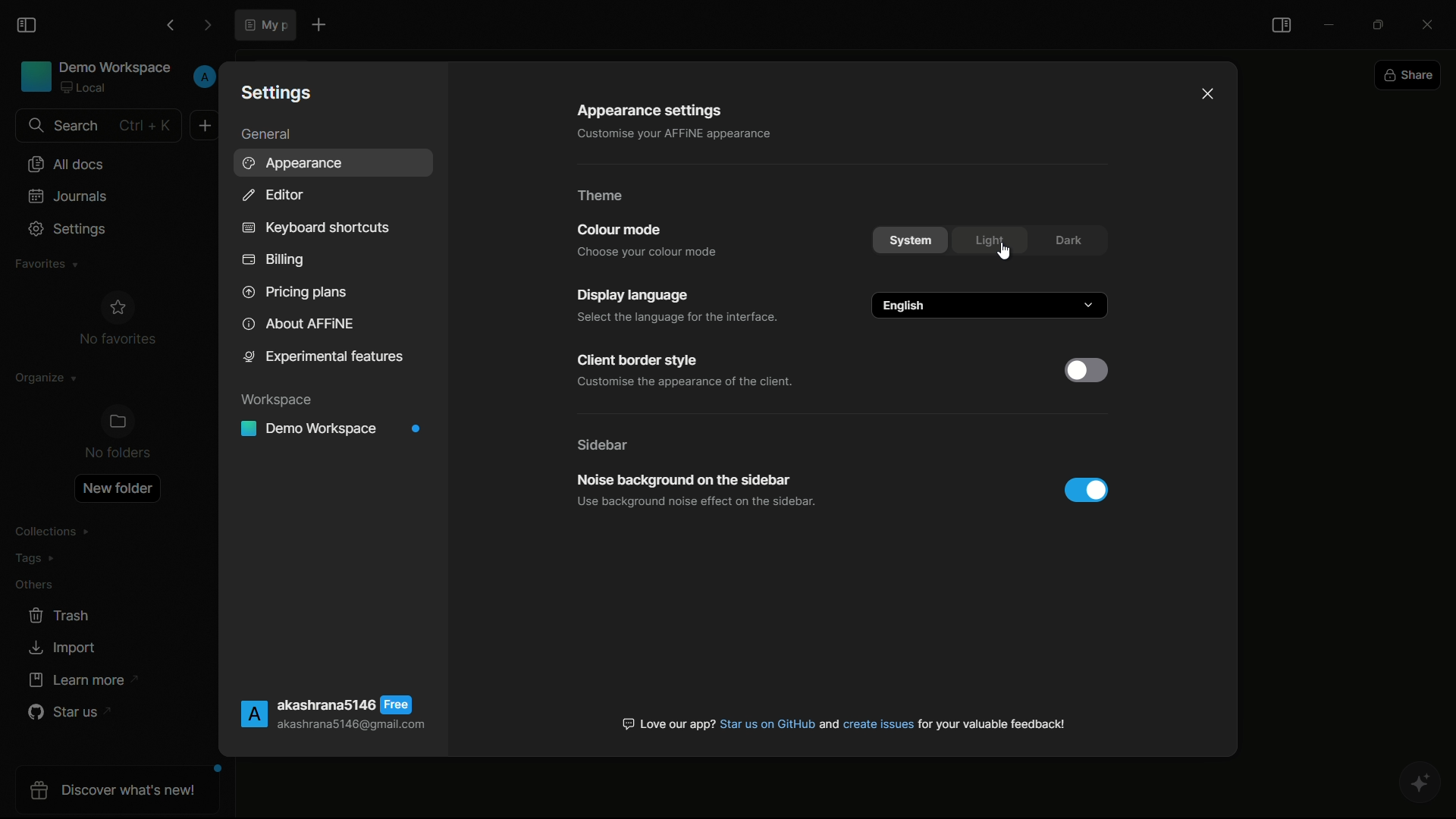 This screenshot has height=819, width=1456. What do you see at coordinates (662, 133) in the screenshot?
I see `Customise your AFFINE appearance` at bounding box center [662, 133].